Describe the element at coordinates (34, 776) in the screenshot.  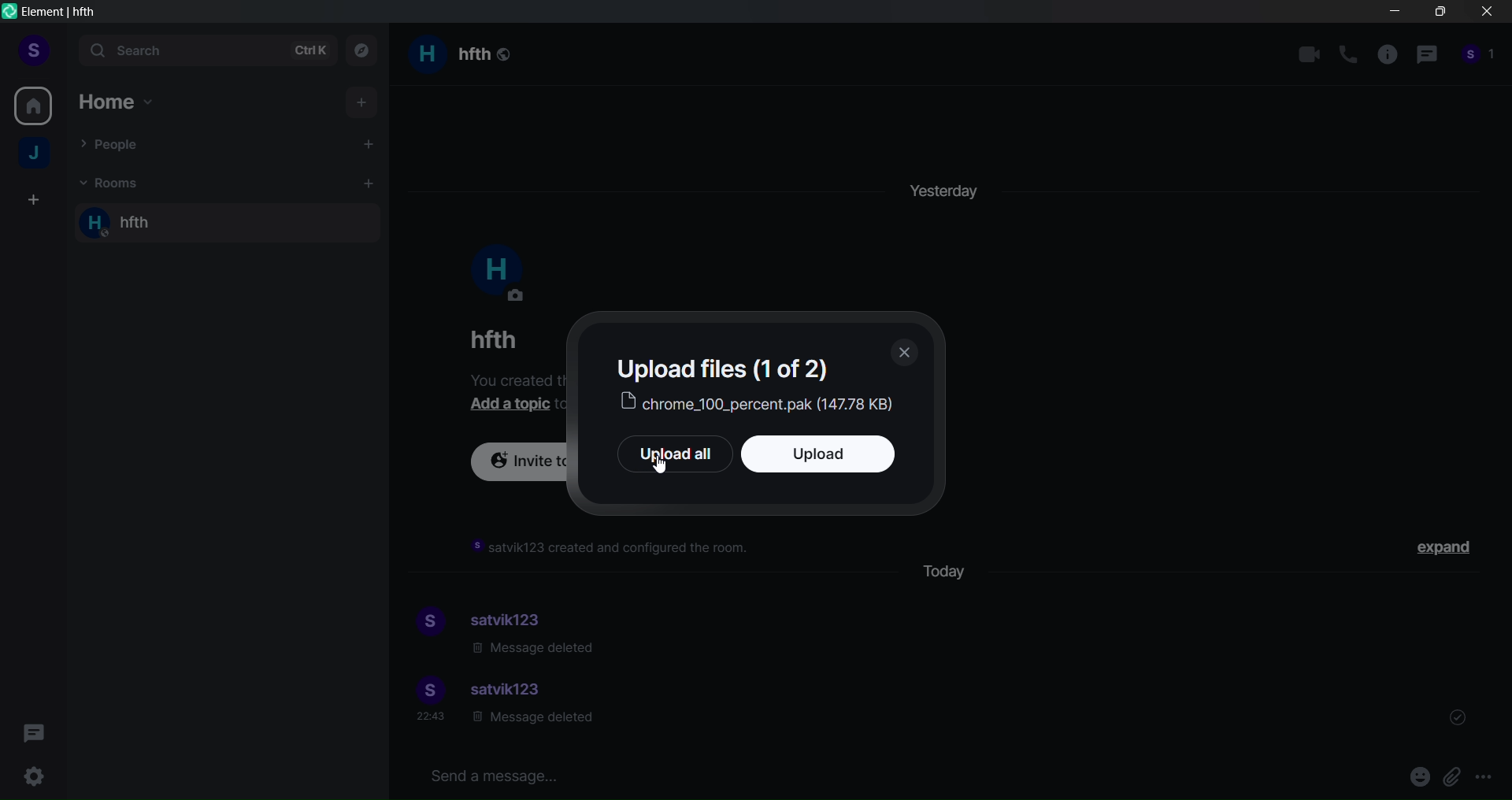
I see `setting` at that location.